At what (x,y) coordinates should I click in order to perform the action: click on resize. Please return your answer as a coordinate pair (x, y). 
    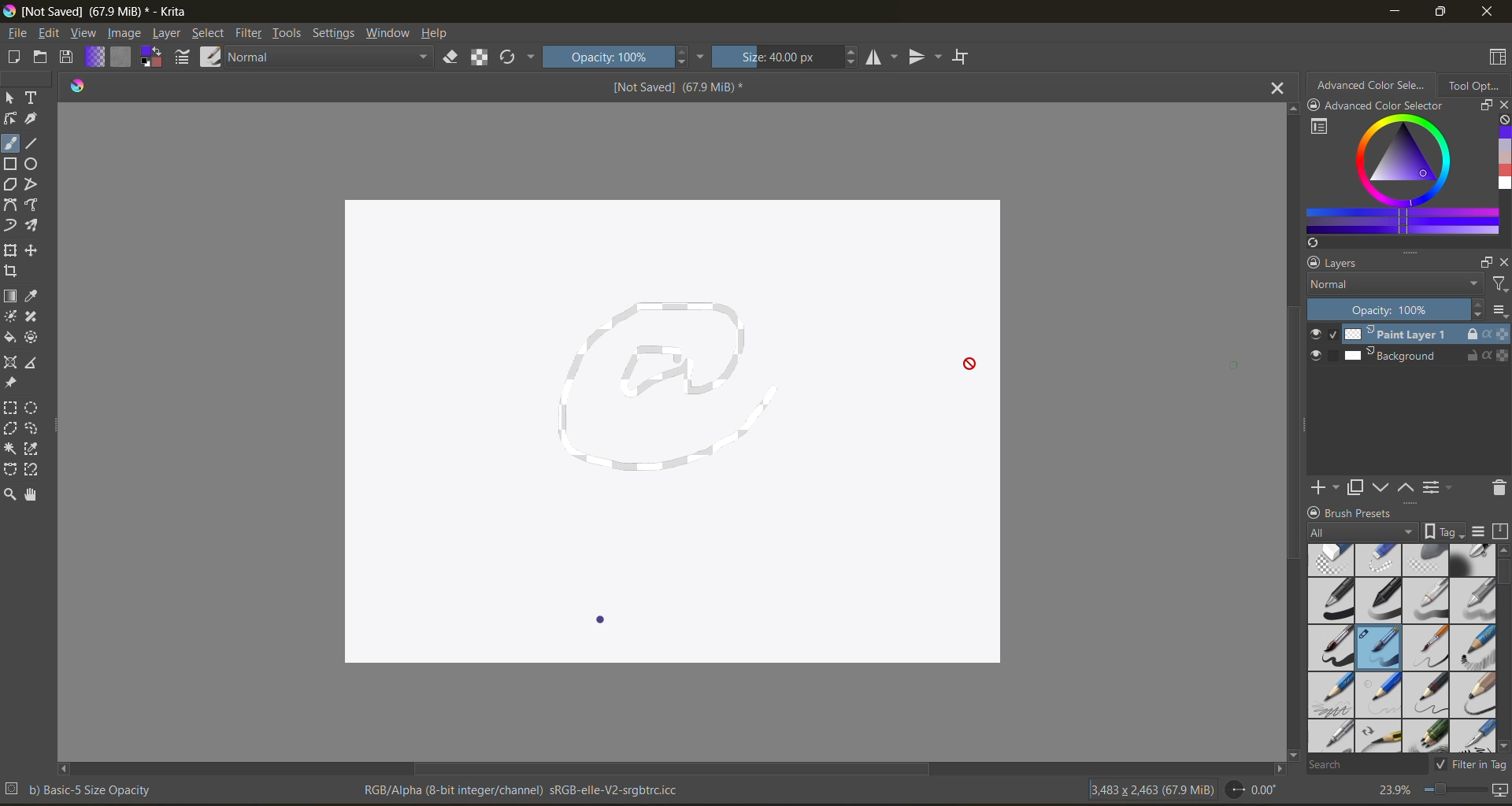
    Looking at the image, I should click on (1483, 105).